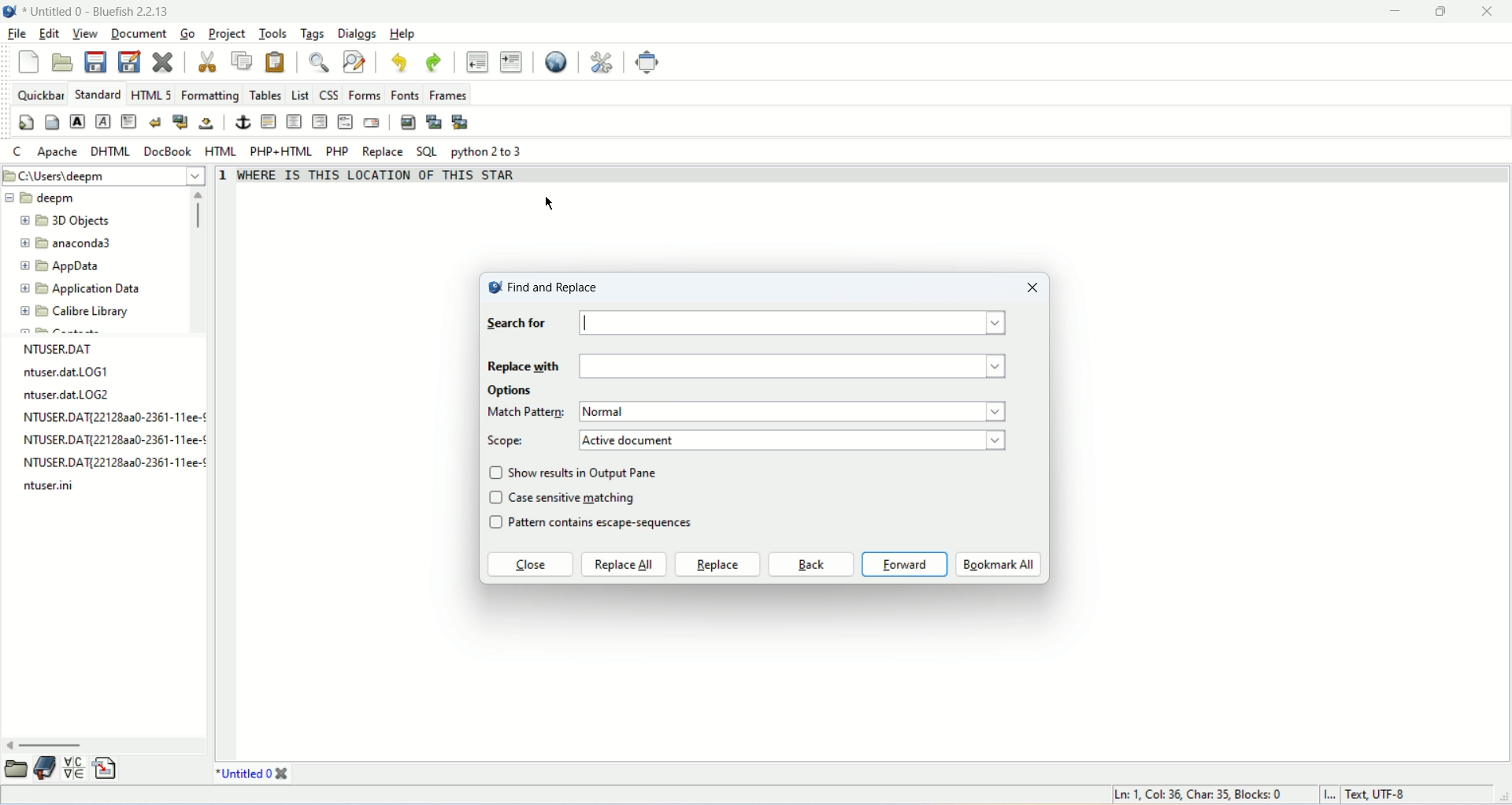 This screenshot has width=1512, height=805. What do you see at coordinates (149, 95) in the screenshot?
I see `HTML5` at bounding box center [149, 95].